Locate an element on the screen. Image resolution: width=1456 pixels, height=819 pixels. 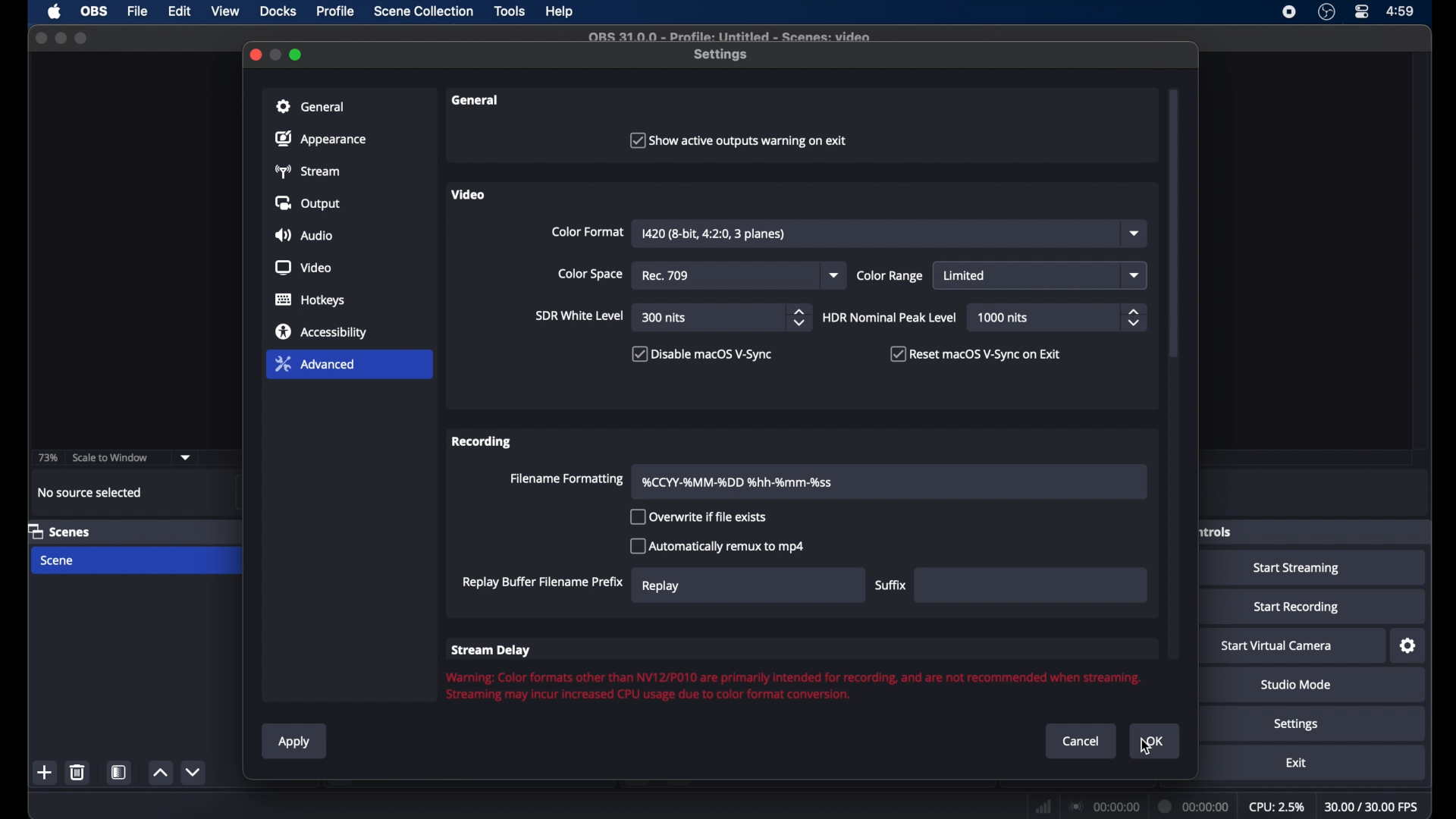
exit is located at coordinates (1296, 763).